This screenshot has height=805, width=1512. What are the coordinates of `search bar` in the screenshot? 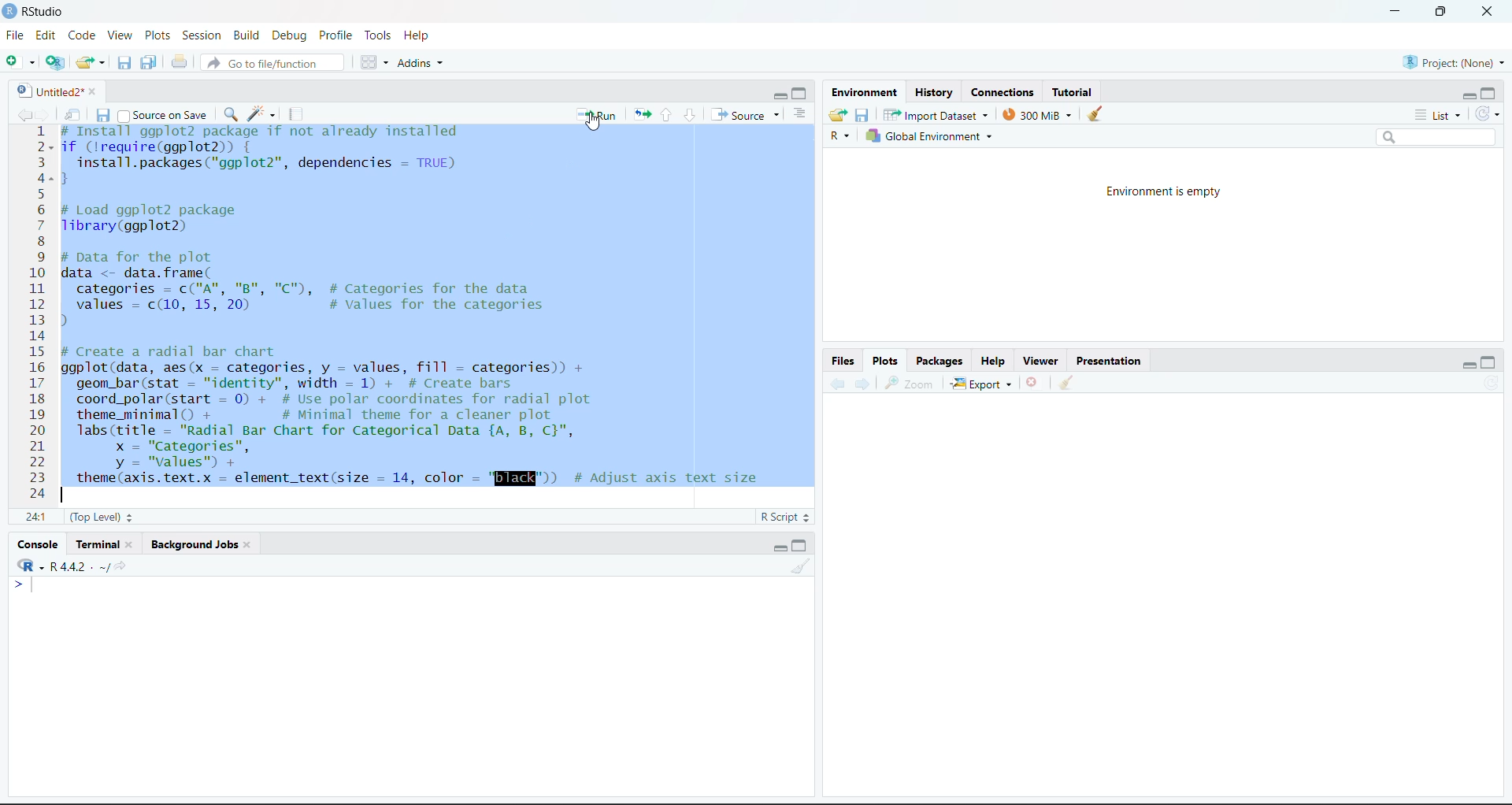 It's located at (1435, 136).